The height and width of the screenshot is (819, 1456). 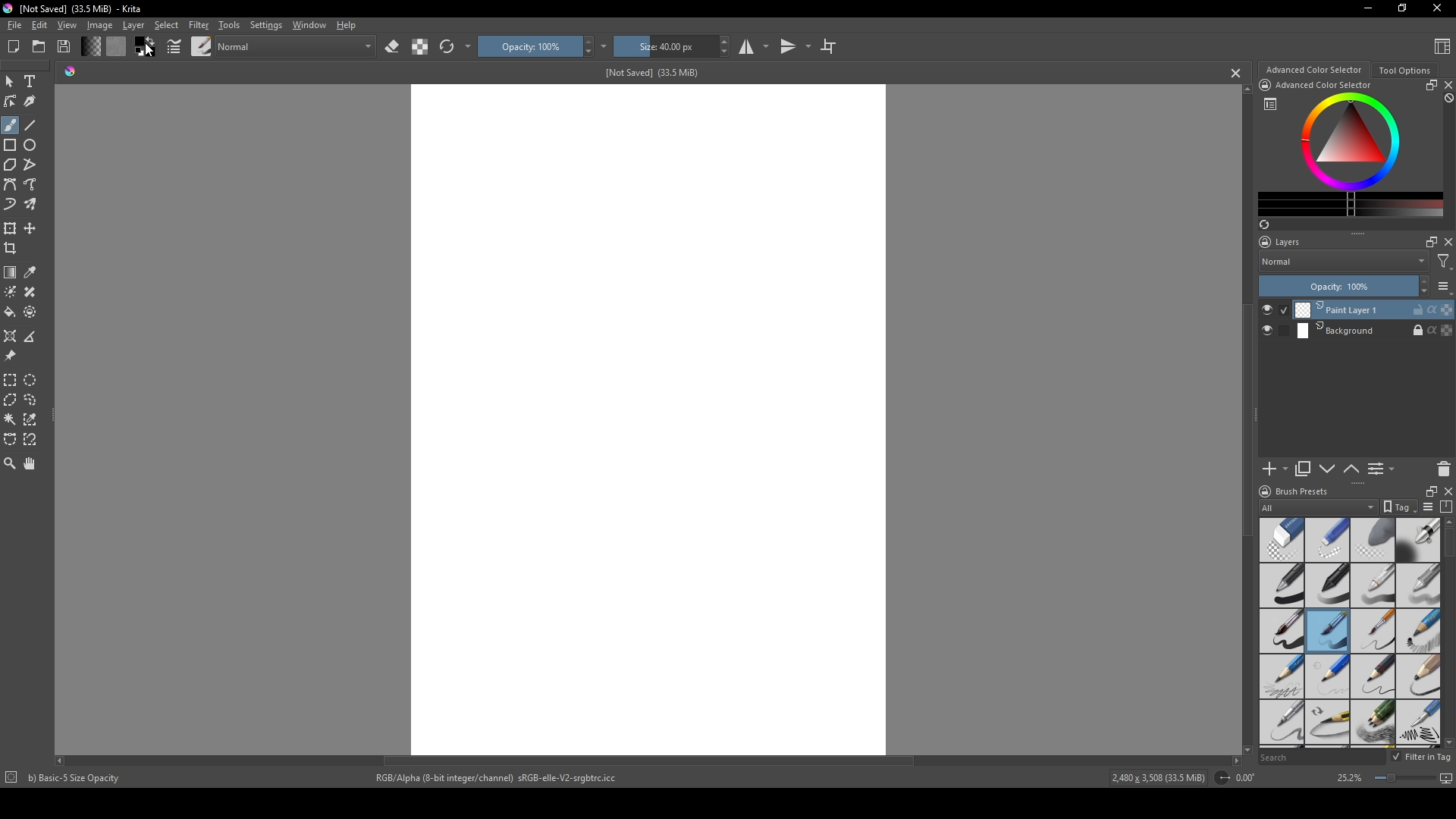 I want to click on edit shapes, so click(x=11, y=102).